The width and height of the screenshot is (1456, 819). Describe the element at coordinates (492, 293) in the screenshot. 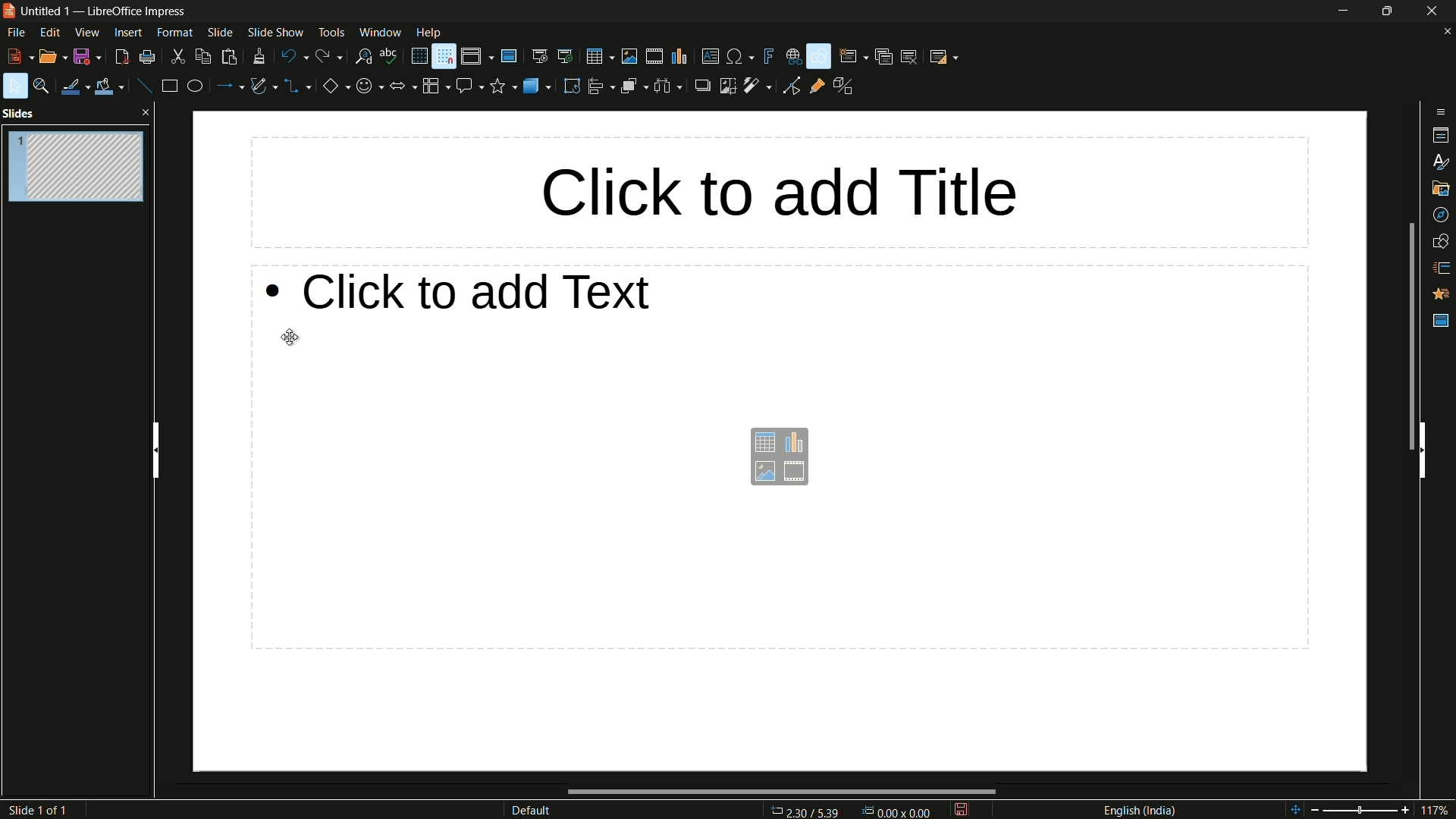

I see `click to add text` at that location.